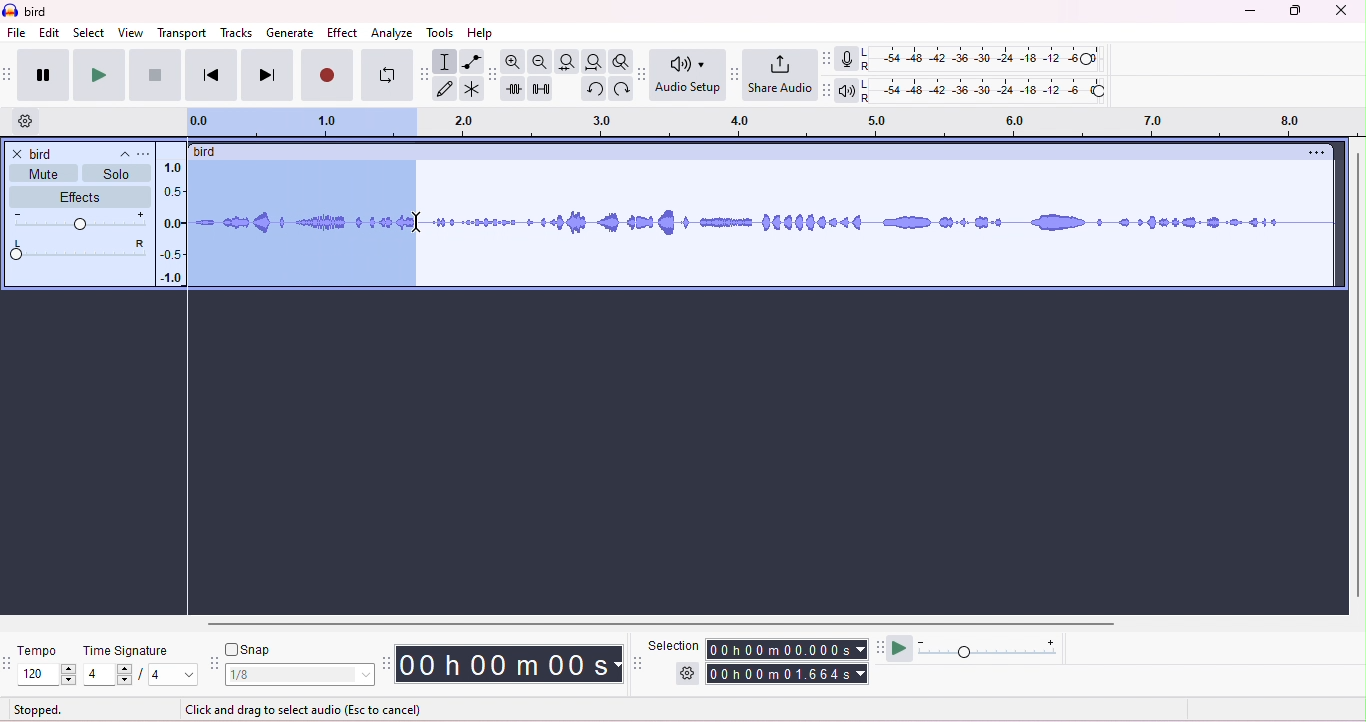  I want to click on trim outside selection, so click(517, 89).